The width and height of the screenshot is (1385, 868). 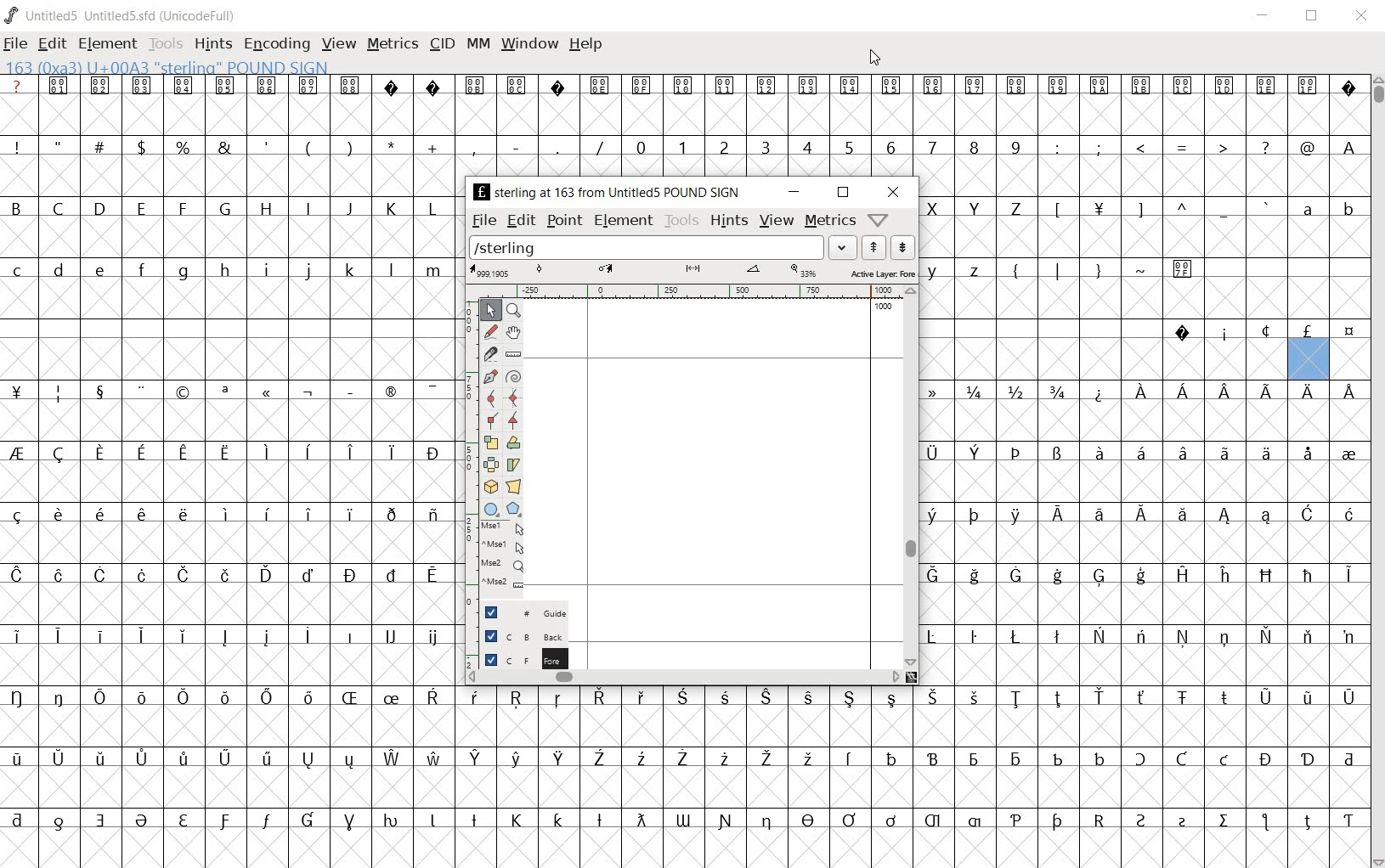 I want to click on Symbol, so click(x=98, y=696).